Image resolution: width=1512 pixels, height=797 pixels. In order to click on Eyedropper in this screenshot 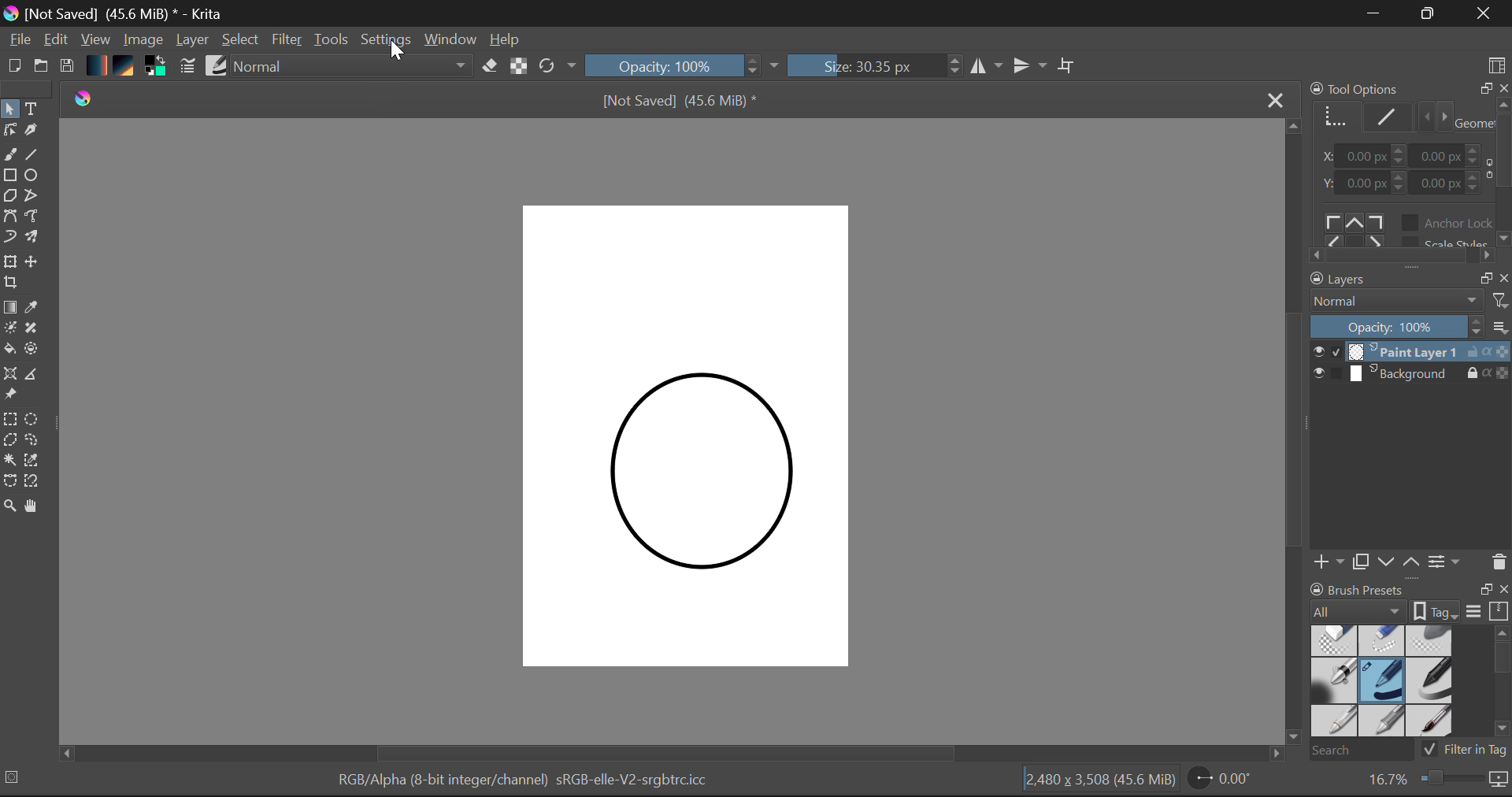, I will do `click(35, 309)`.